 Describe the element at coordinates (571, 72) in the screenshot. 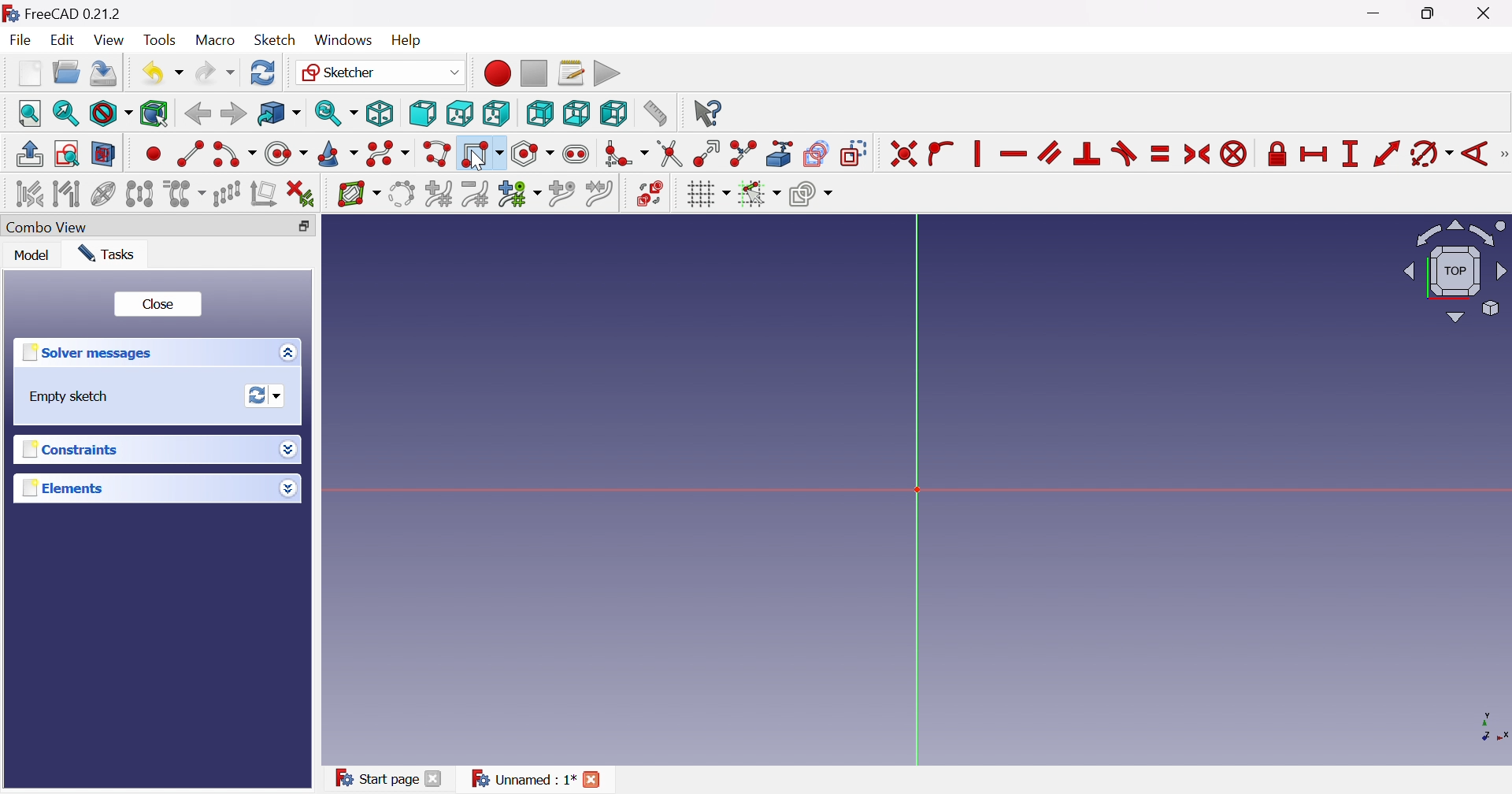

I see `Macros` at that location.